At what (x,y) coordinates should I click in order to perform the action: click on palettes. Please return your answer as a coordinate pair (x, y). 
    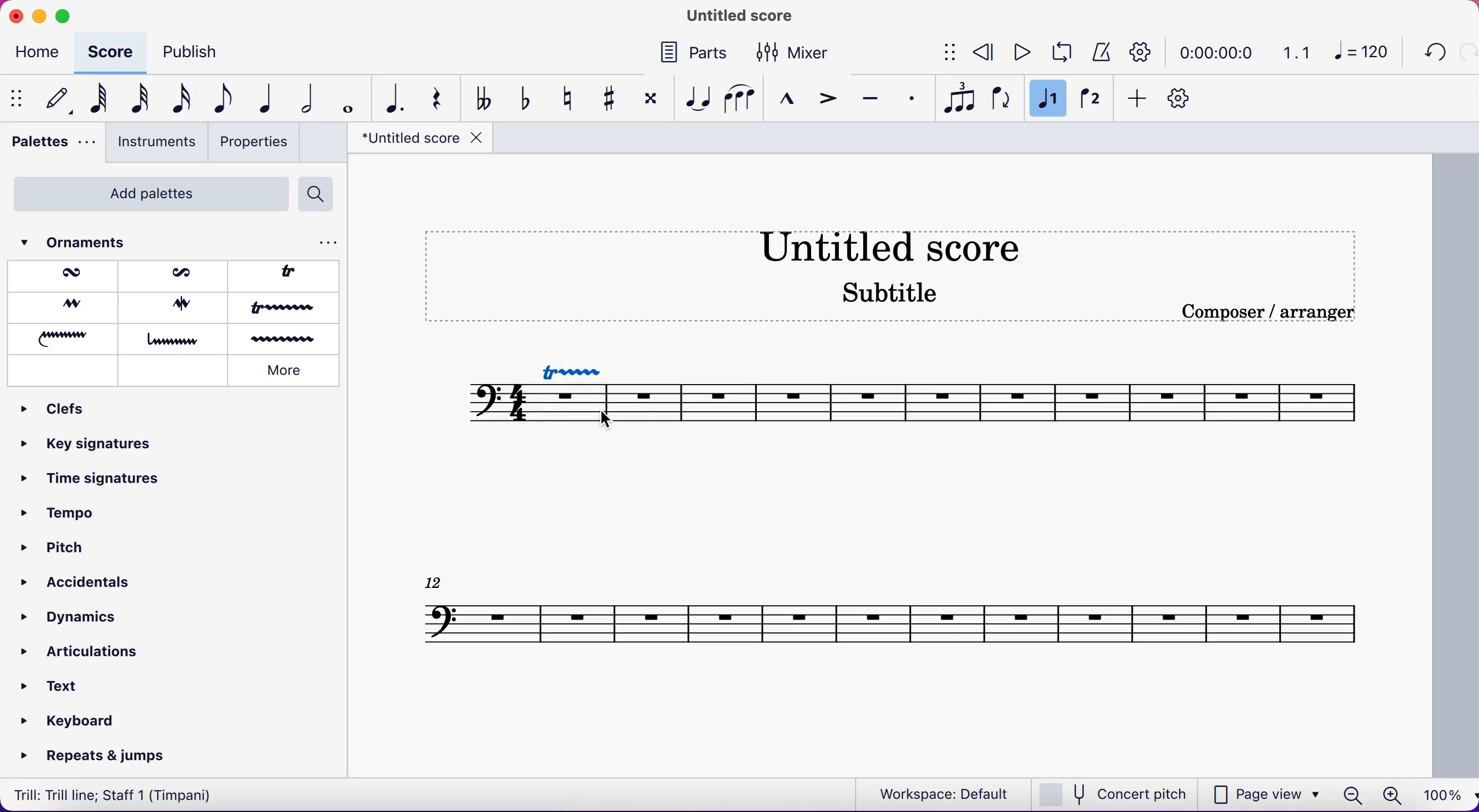
    Looking at the image, I should click on (49, 145).